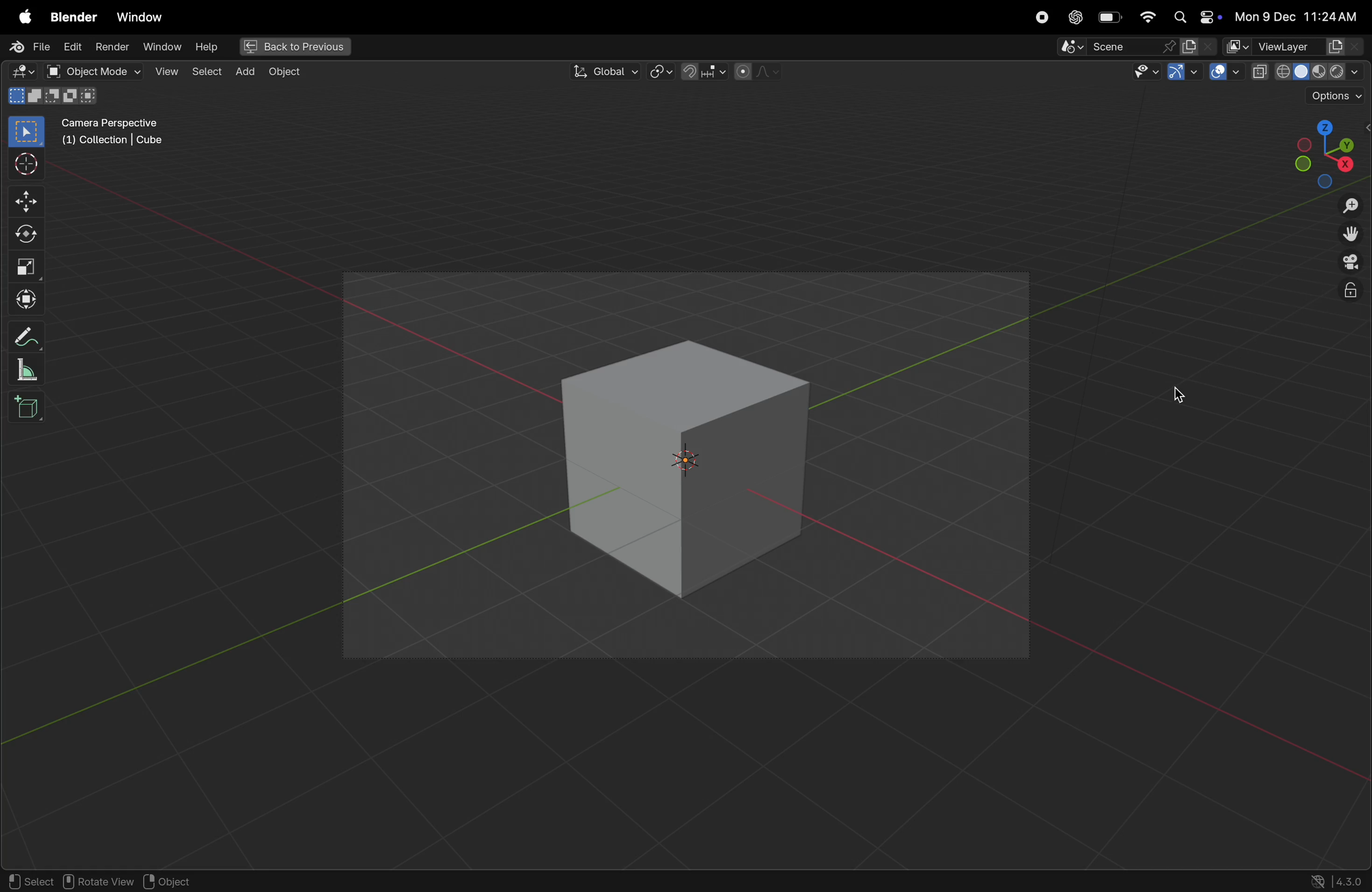 The width and height of the screenshot is (1372, 892). What do you see at coordinates (292, 73) in the screenshot?
I see `objects` at bounding box center [292, 73].